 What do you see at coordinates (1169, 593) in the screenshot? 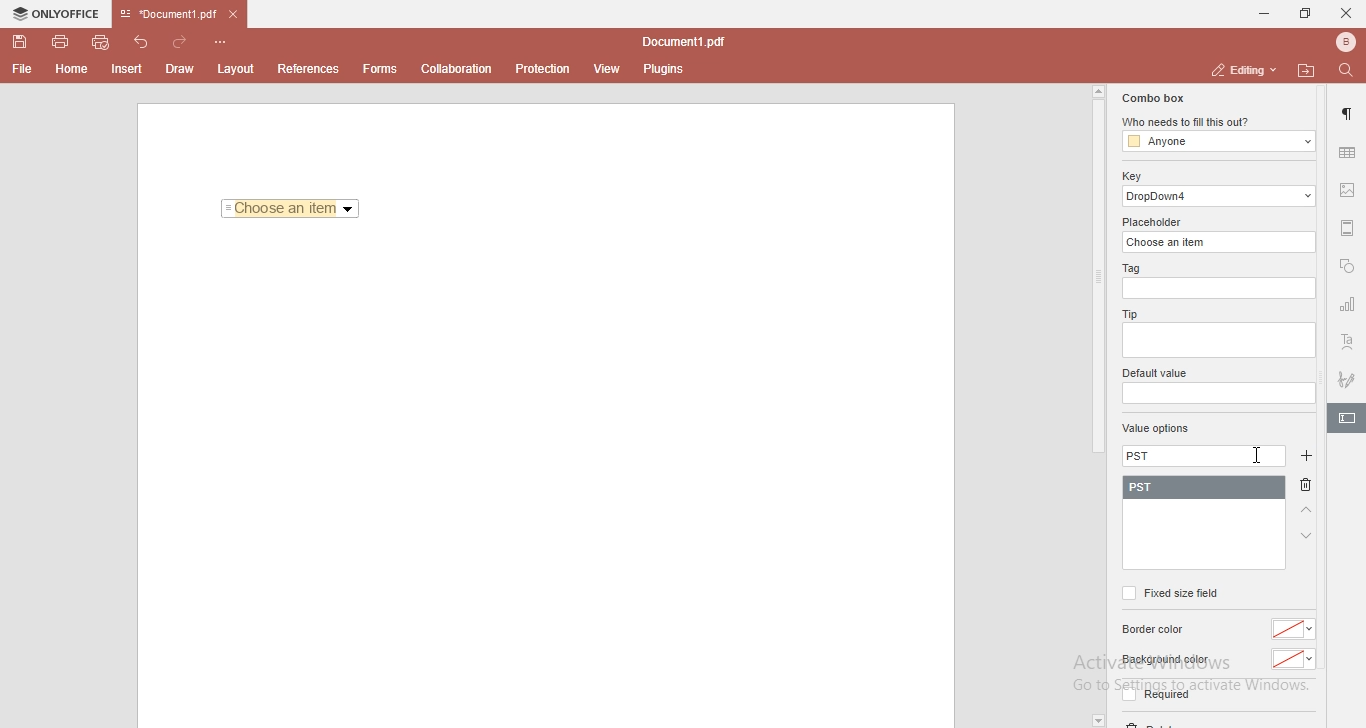
I see `fixed size field` at bounding box center [1169, 593].